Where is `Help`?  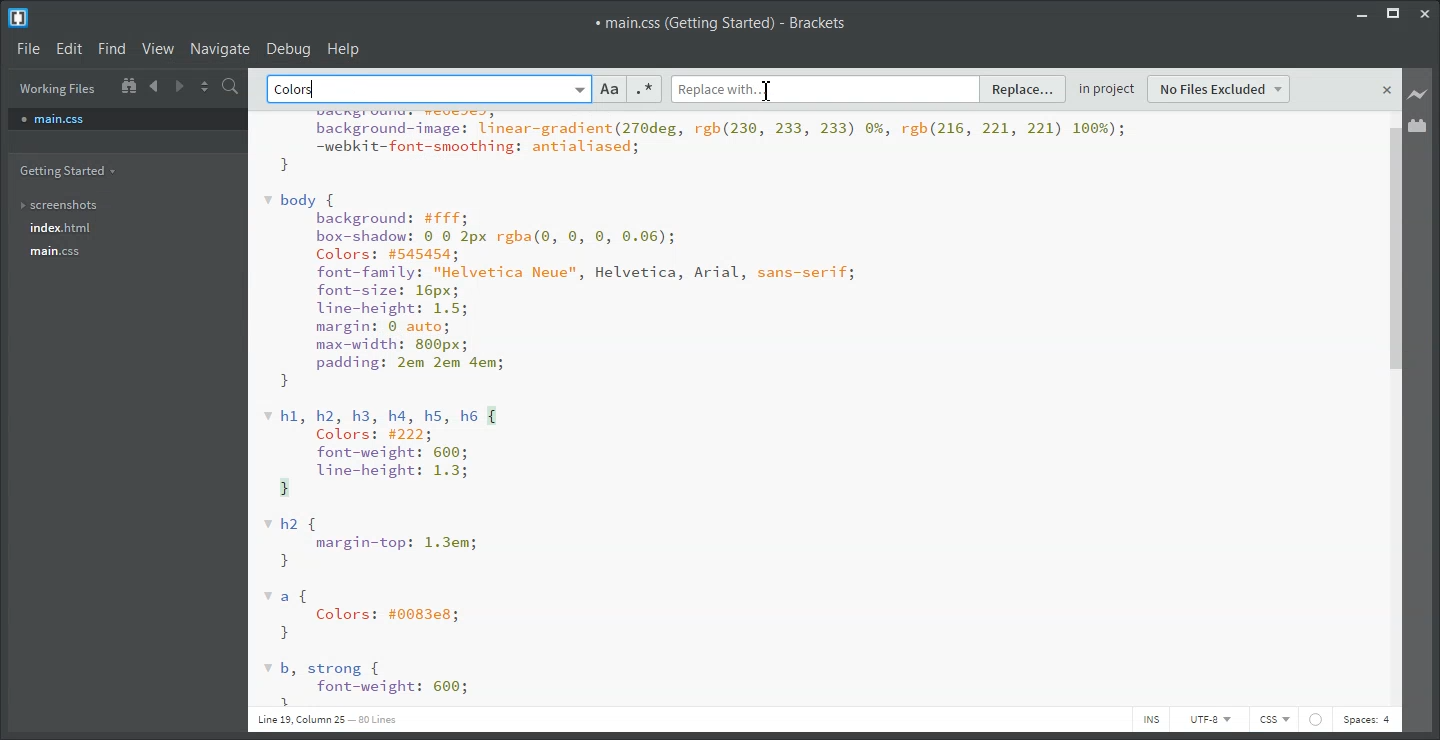 Help is located at coordinates (344, 48).